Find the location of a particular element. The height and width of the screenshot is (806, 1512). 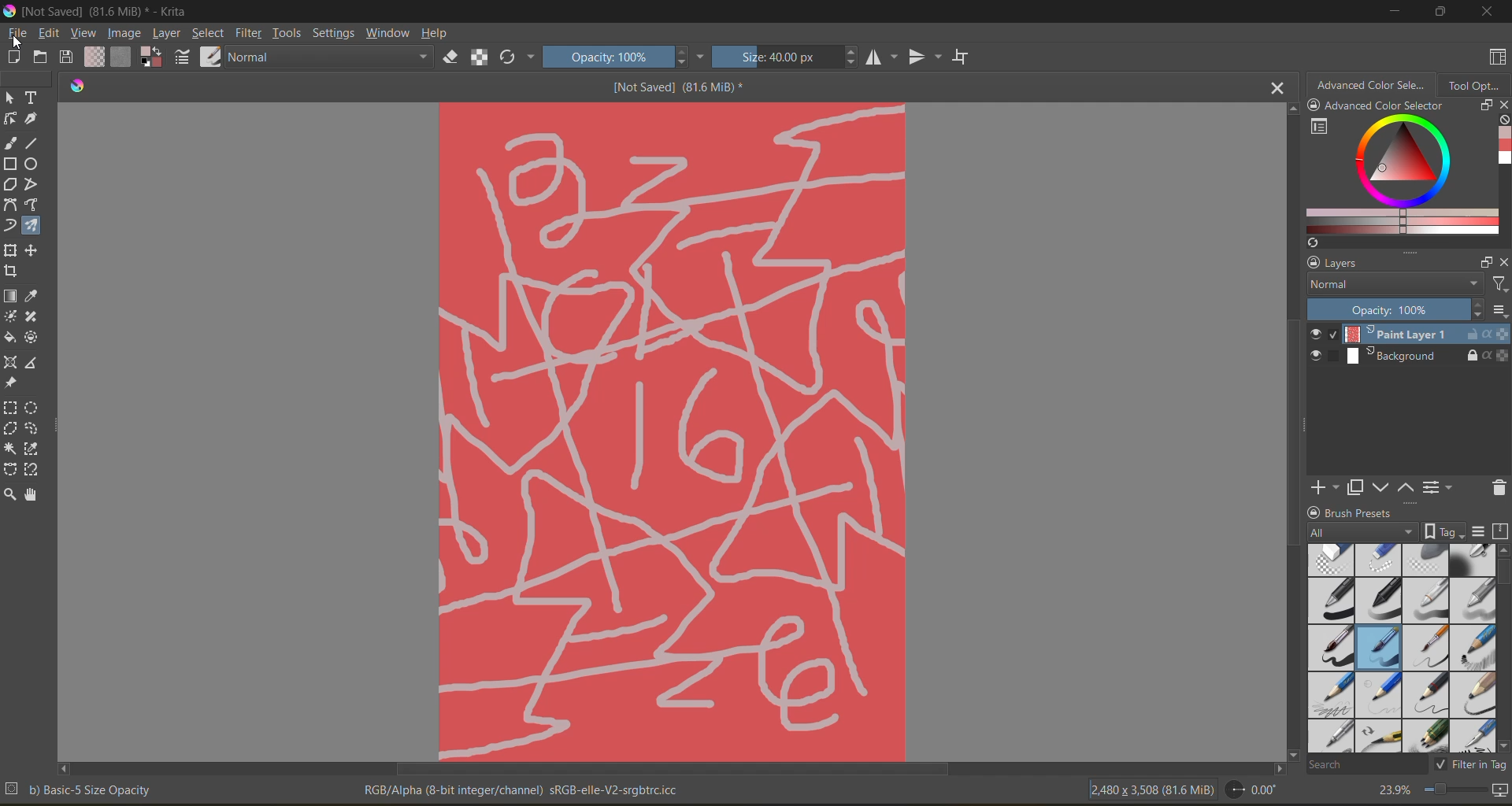

tool is located at coordinates (10, 120).